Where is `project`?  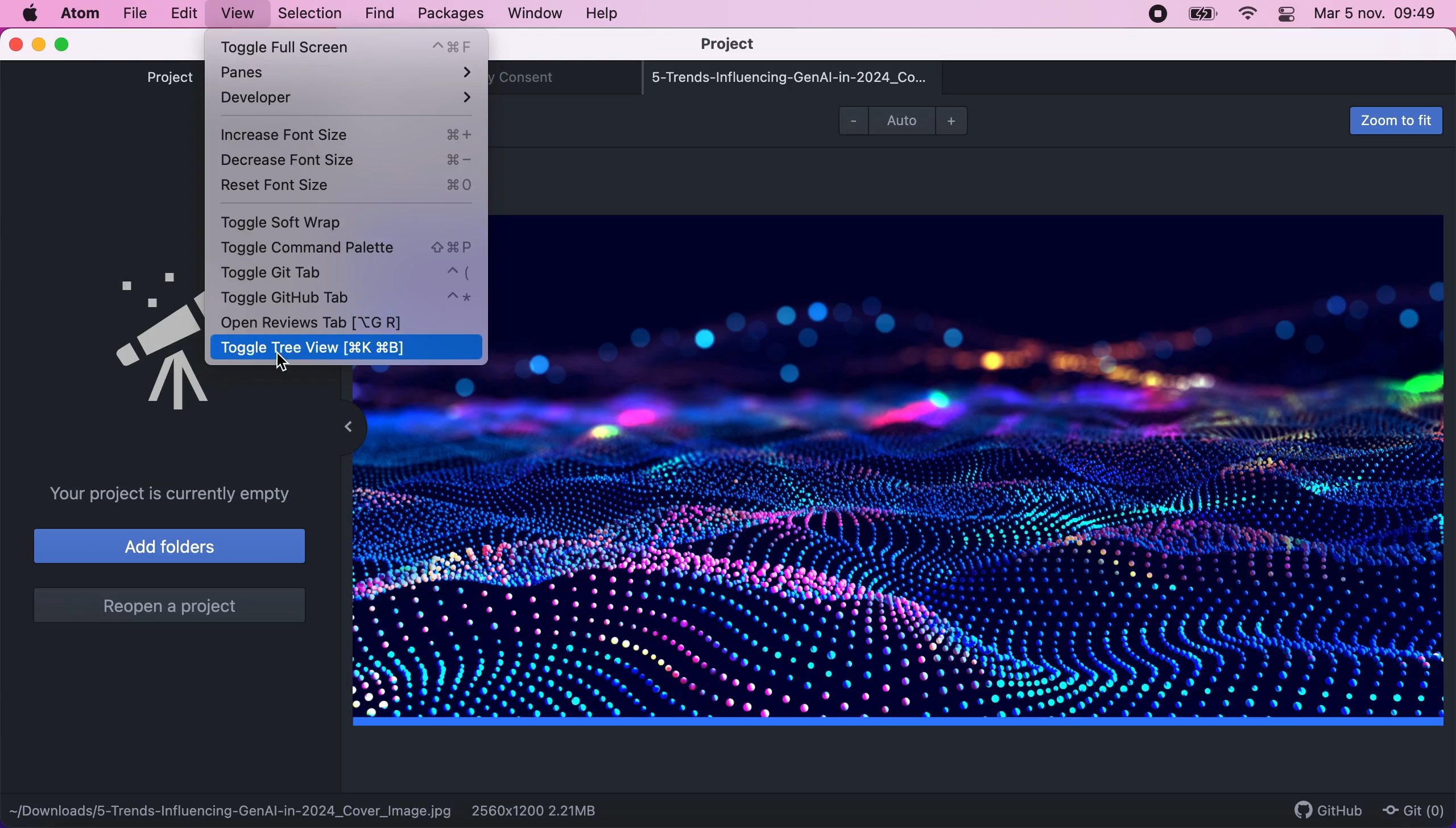
project is located at coordinates (733, 46).